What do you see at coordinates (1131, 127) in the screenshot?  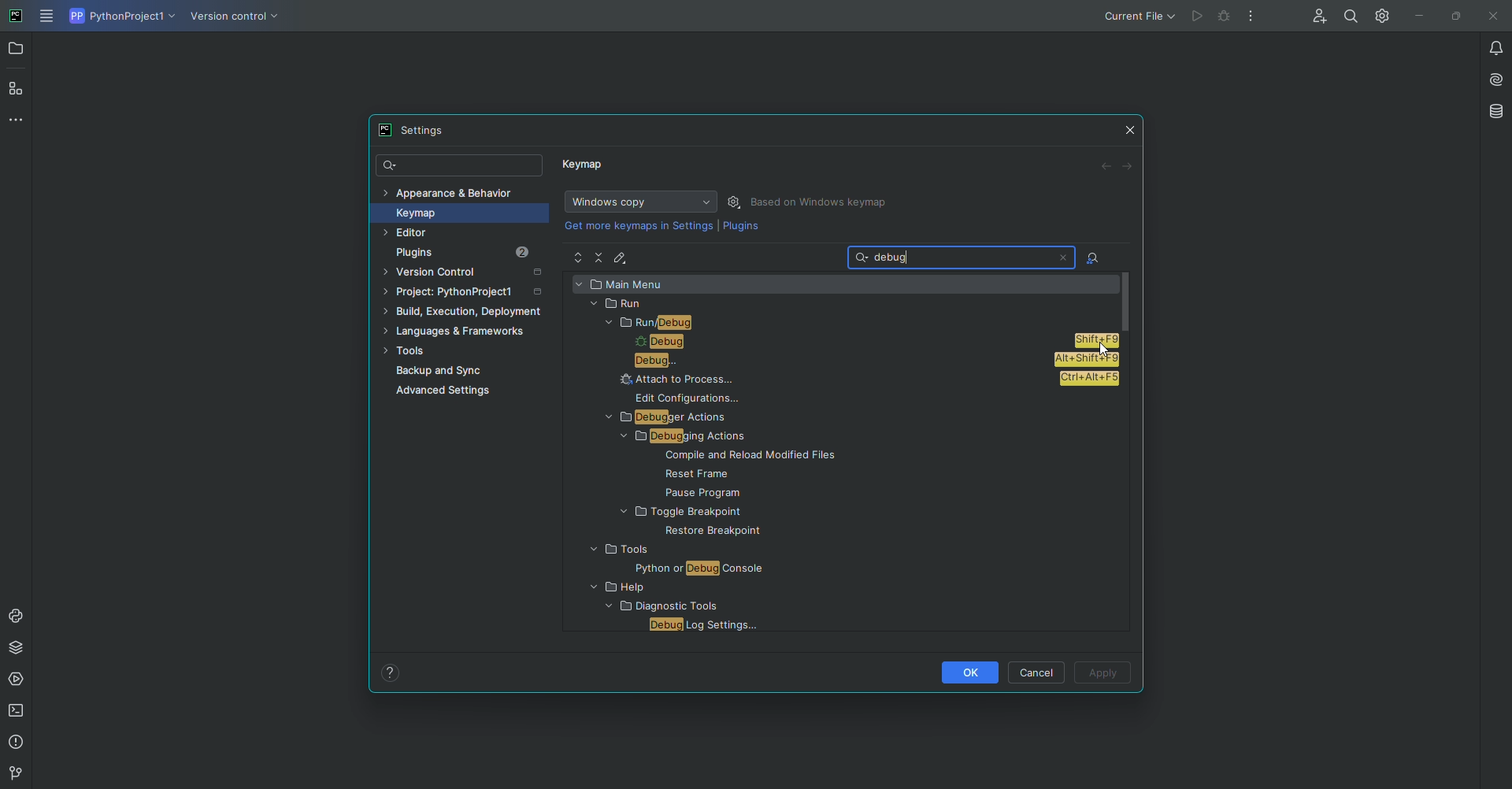 I see `Close` at bounding box center [1131, 127].